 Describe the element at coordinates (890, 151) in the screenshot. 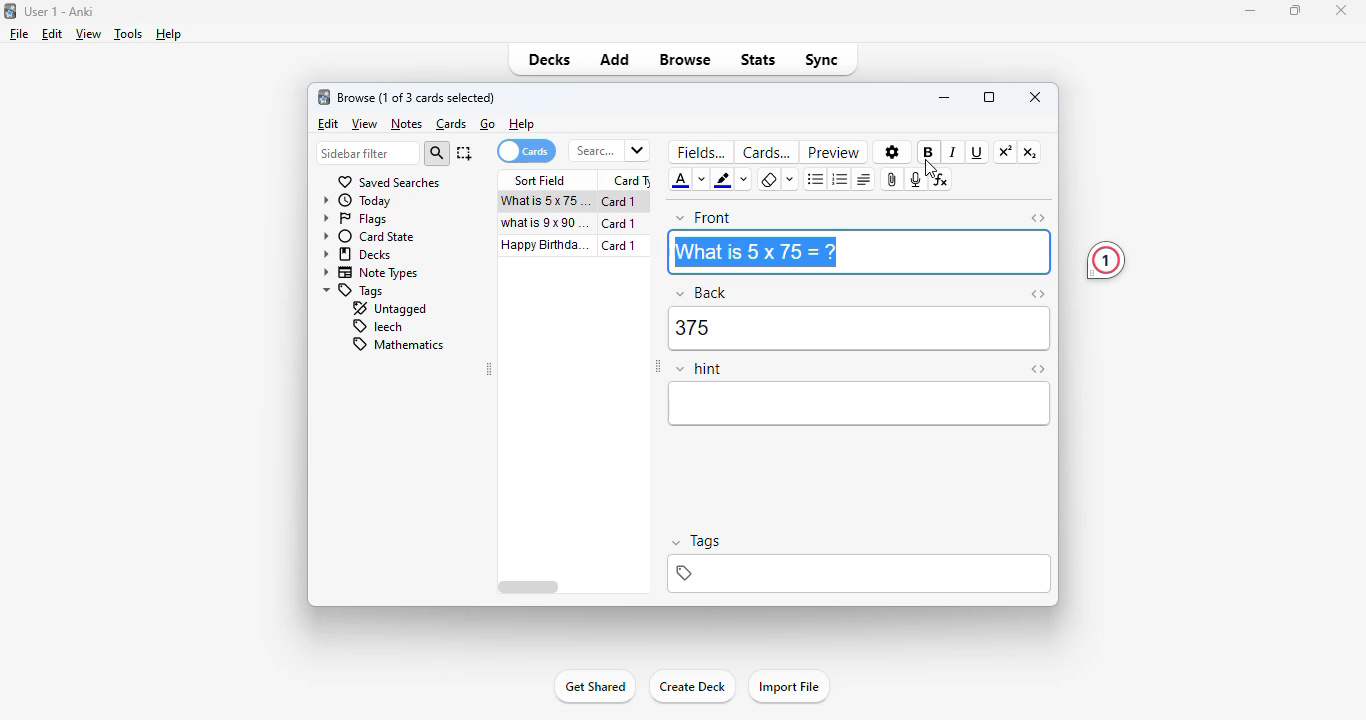

I see `options` at that location.